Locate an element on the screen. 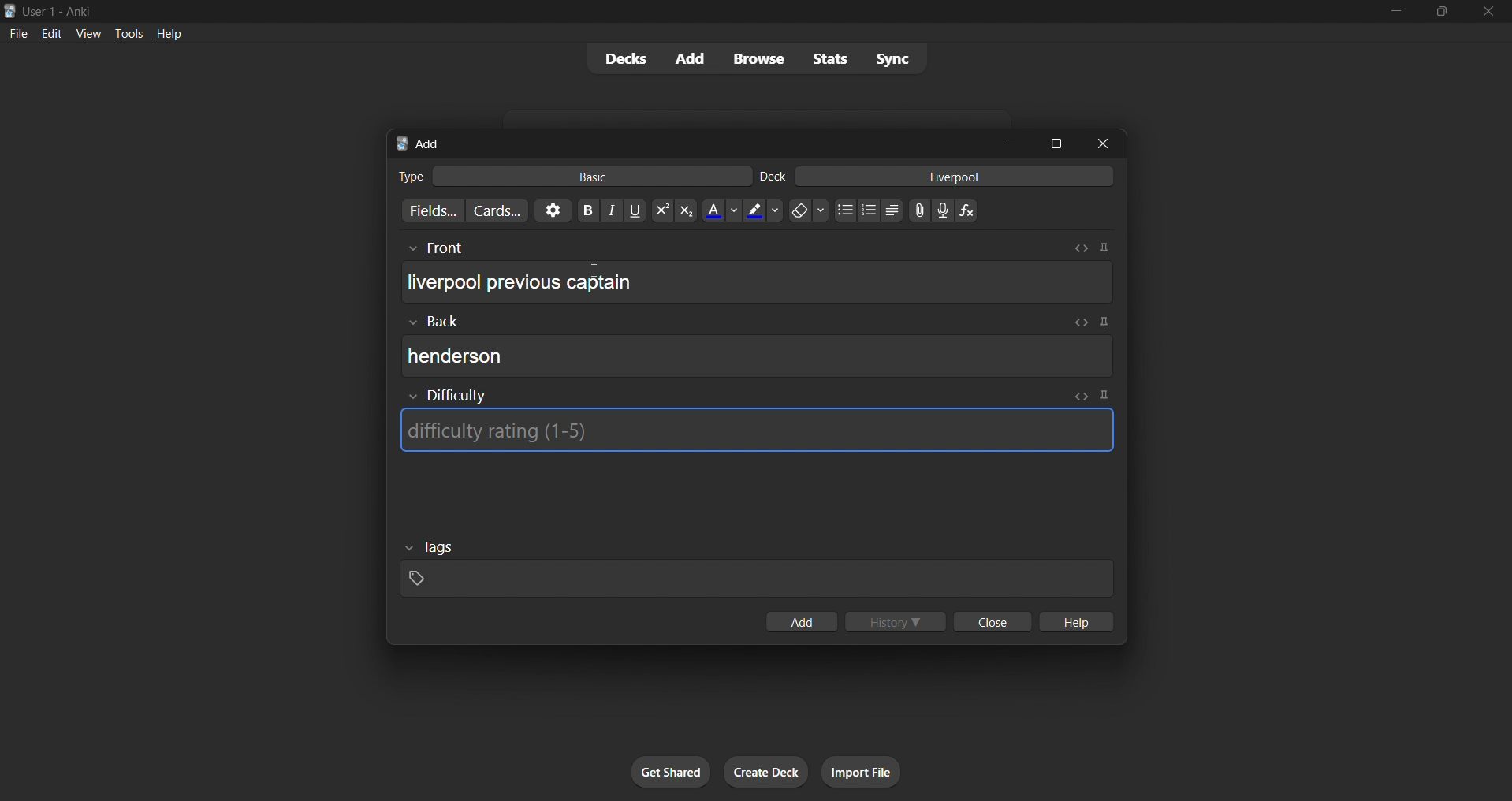  title bar is located at coordinates (681, 9).